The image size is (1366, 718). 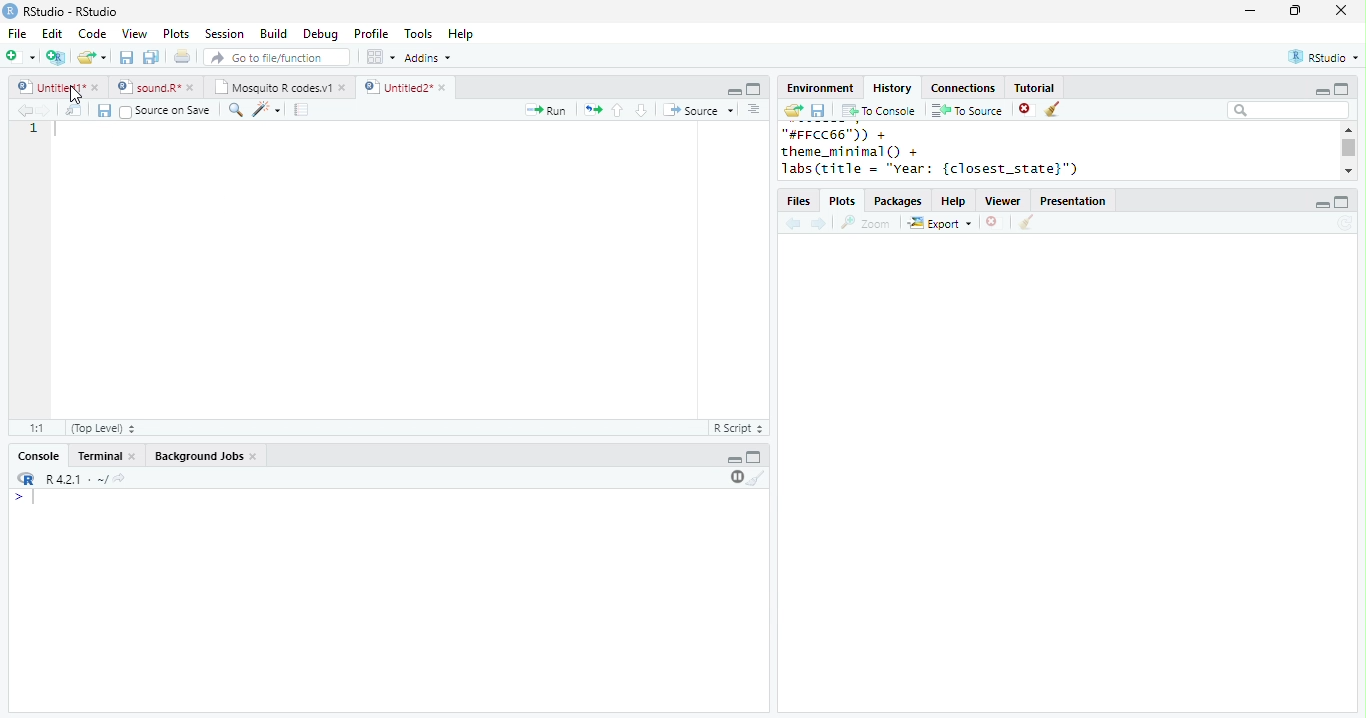 What do you see at coordinates (593, 110) in the screenshot?
I see `rerun` at bounding box center [593, 110].